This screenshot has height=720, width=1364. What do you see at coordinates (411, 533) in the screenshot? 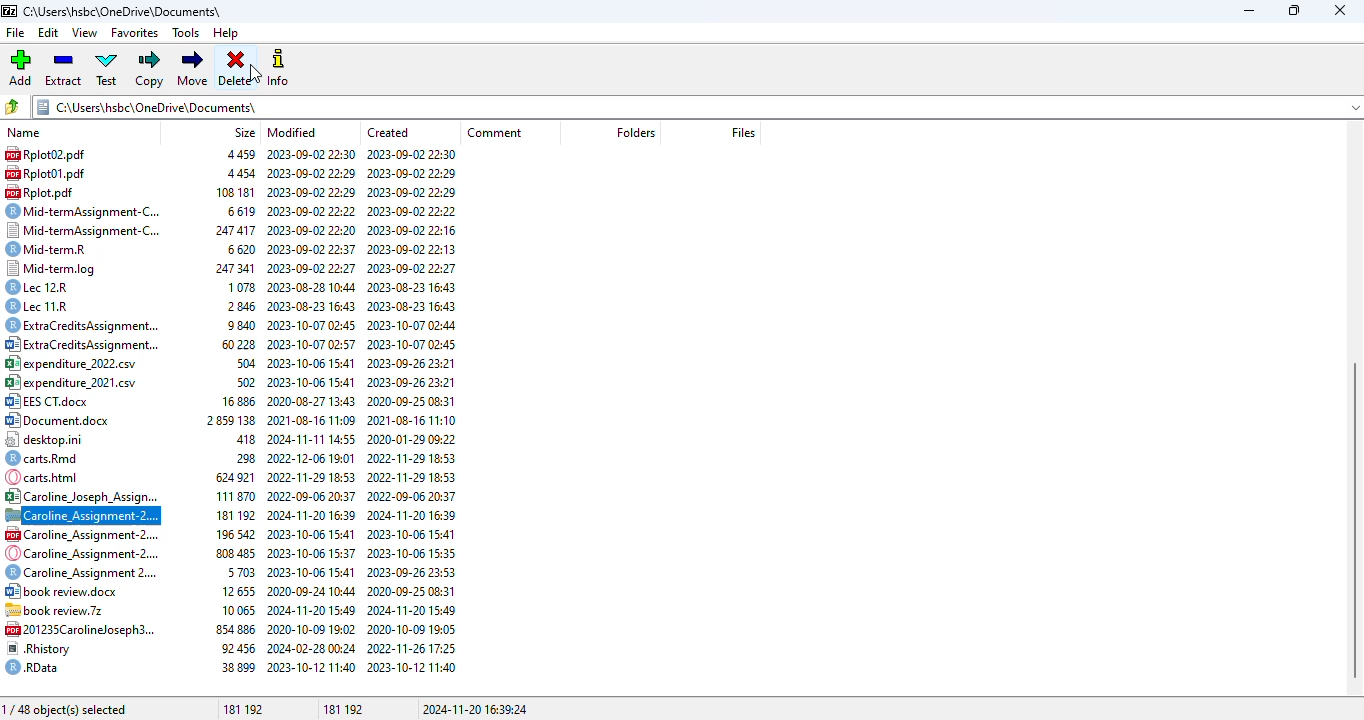
I see `2023-10-06 15:41` at bounding box center [411, 533].